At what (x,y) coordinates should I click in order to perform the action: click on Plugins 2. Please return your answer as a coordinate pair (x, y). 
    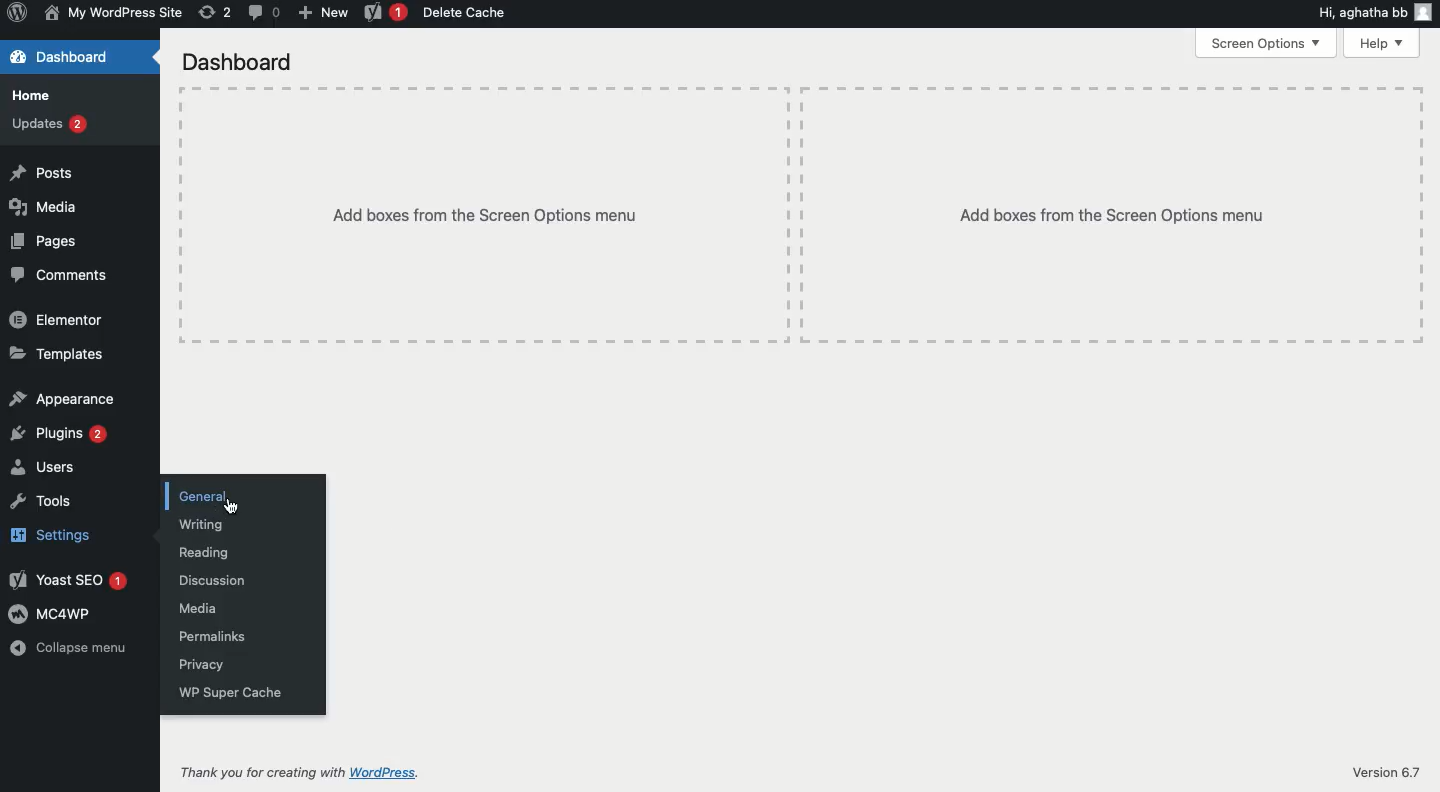
    Looking at the image, I should click on (61, 434).